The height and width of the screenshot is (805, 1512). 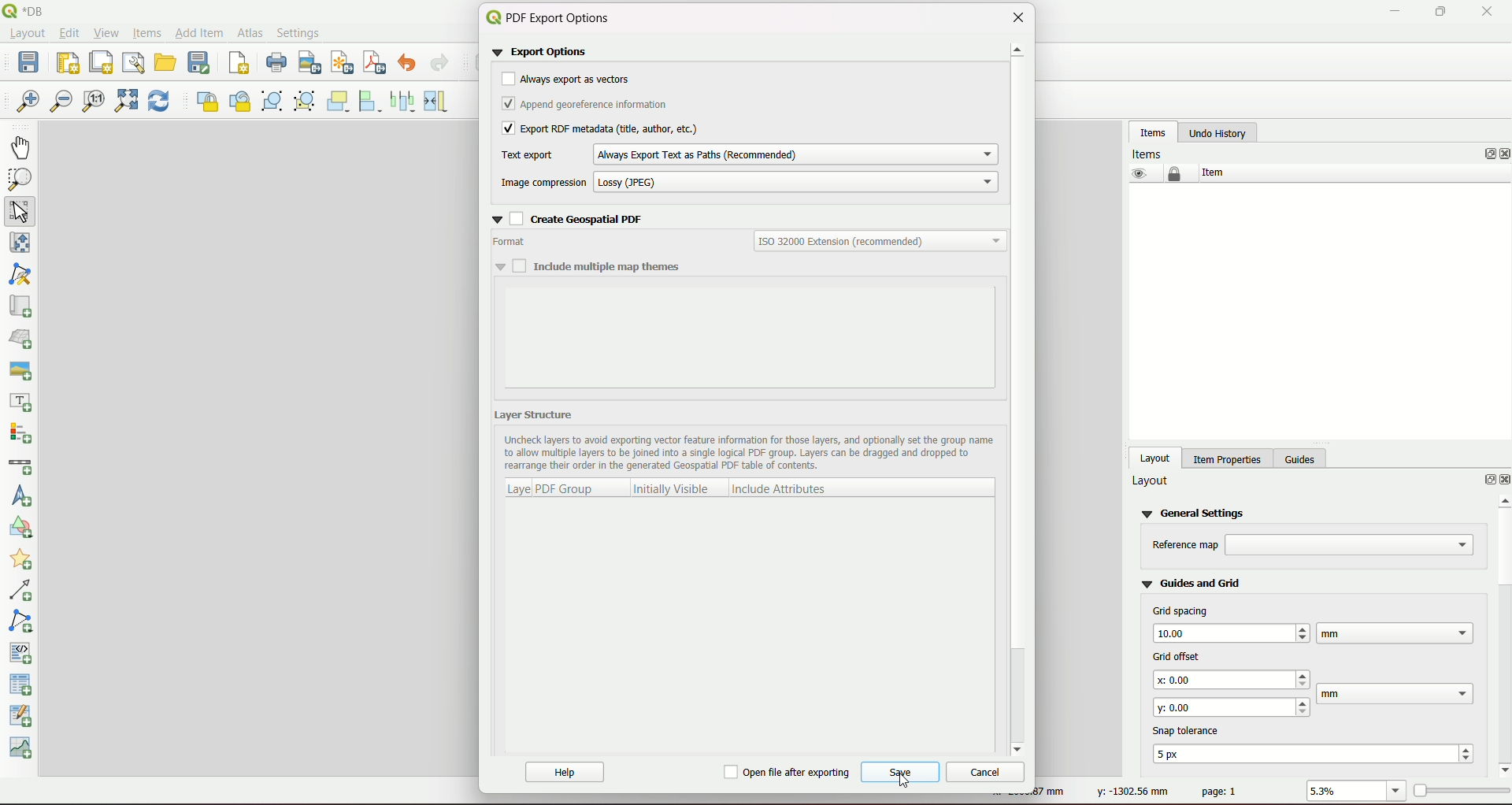 What do you see at coordinates (22, 402) in the screenshot?
I see `add label` at bounding box center [22, 402].